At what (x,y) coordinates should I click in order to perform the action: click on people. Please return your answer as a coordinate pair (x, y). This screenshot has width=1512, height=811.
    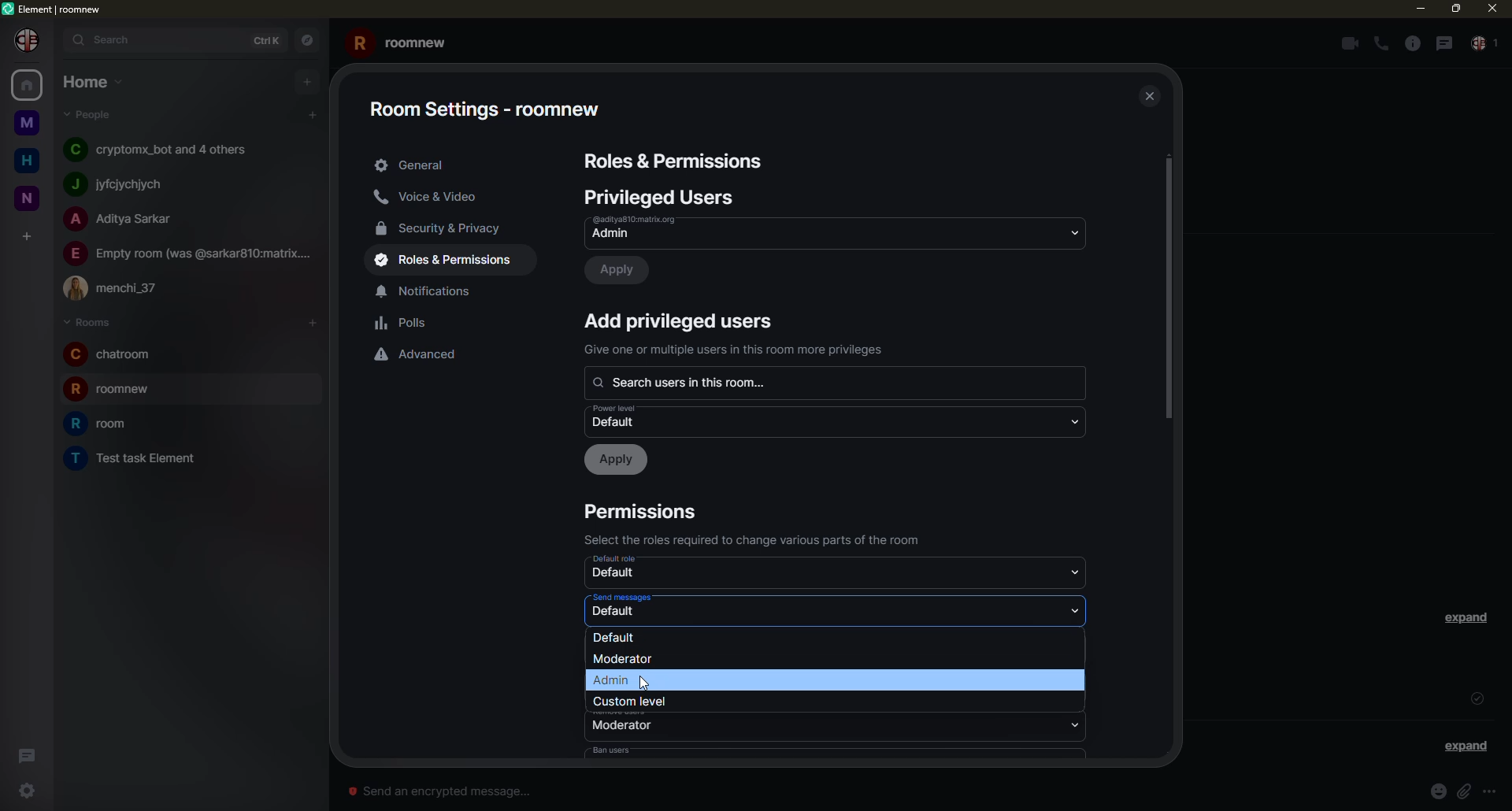
    Looking at the image, I should click on (119, 288).